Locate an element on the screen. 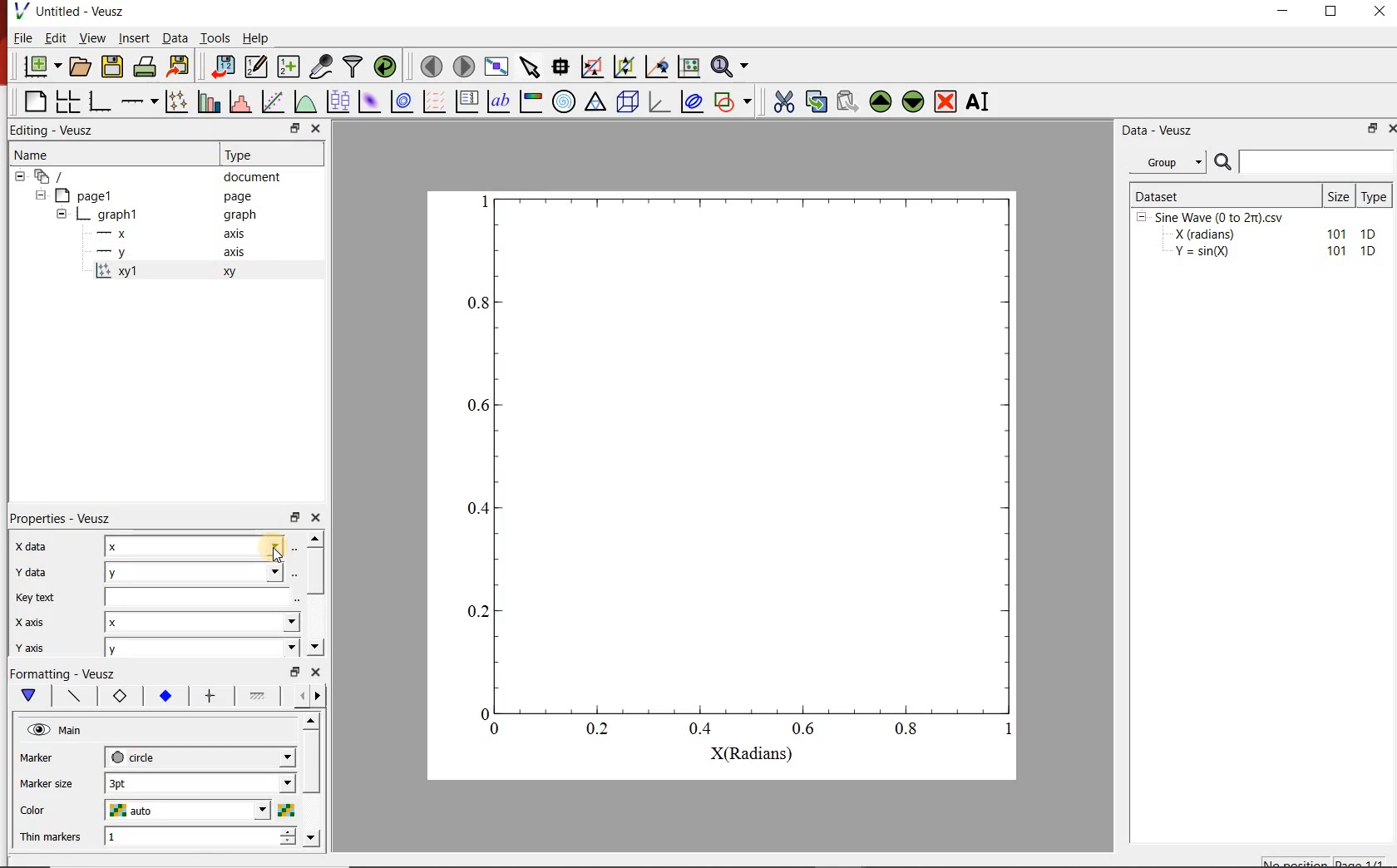 The image size is (1397, 868). rename is located at coordinates (981, 103).